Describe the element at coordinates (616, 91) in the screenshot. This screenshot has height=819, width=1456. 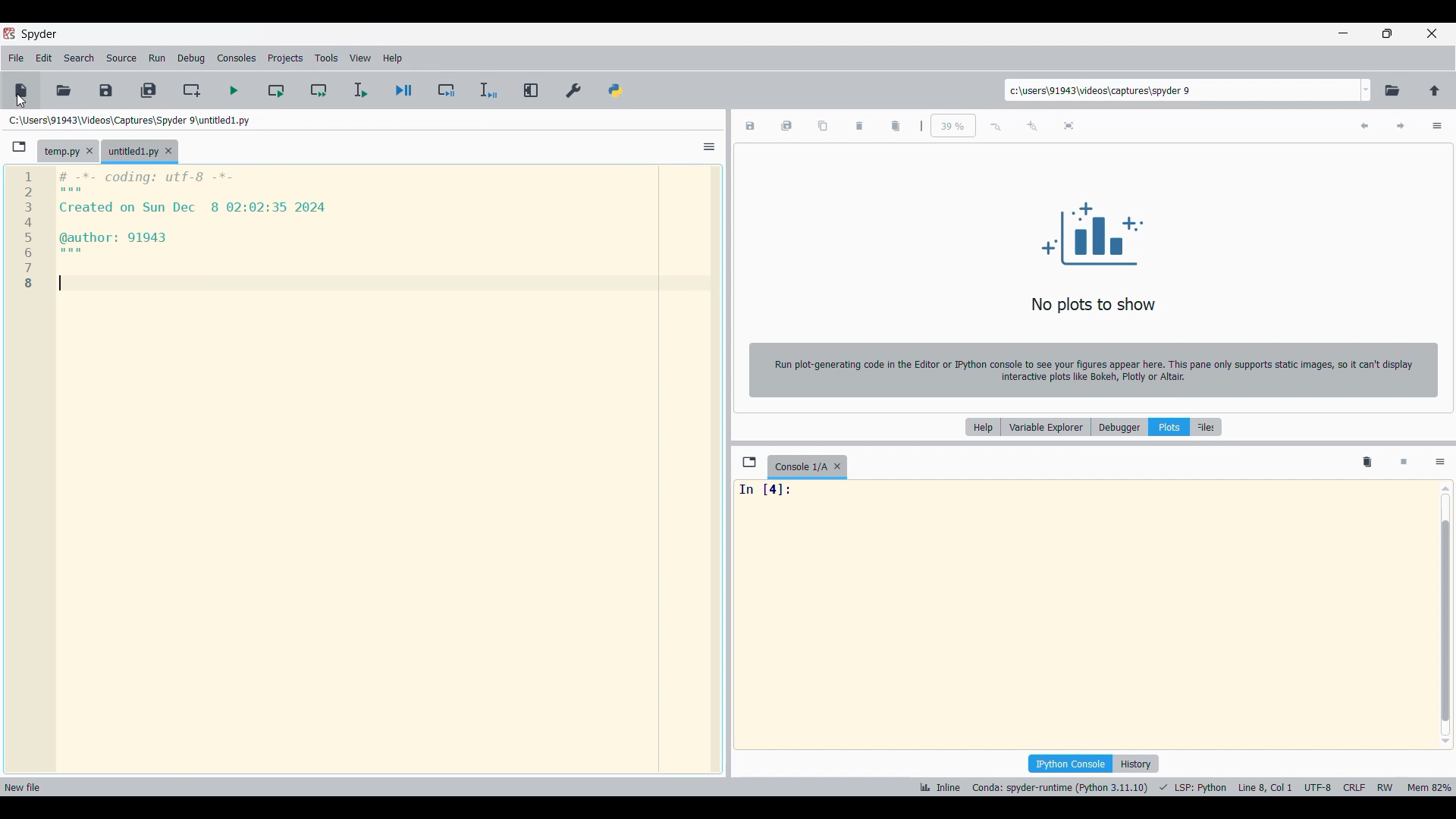
I see `PYTHONPATH manager` at that location.